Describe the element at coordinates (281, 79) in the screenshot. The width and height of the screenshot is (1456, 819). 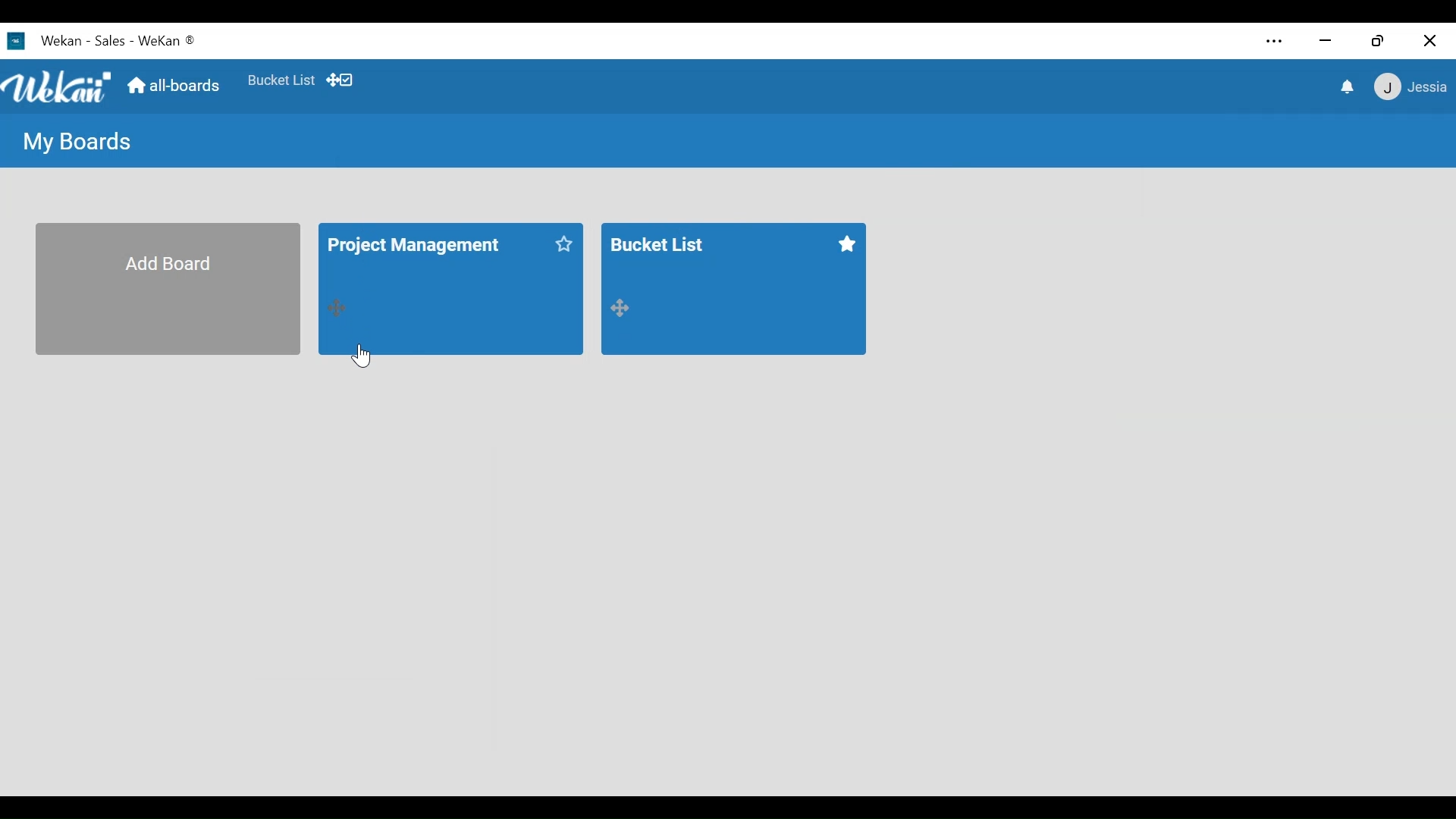
I see `Bucket List` at that location.